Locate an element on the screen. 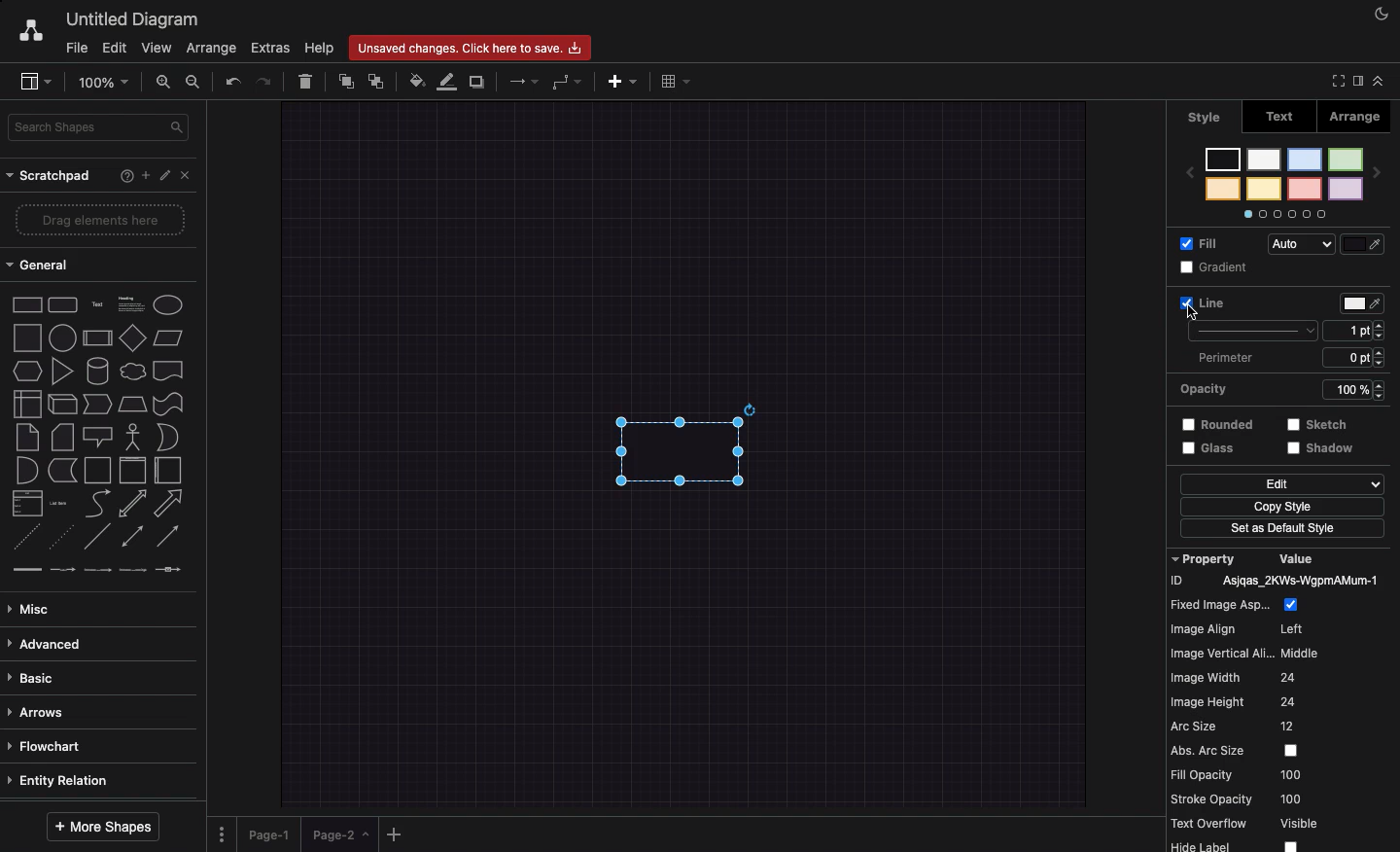 The image size is (1400, 852). Redo is located at coordinates (266, 80).